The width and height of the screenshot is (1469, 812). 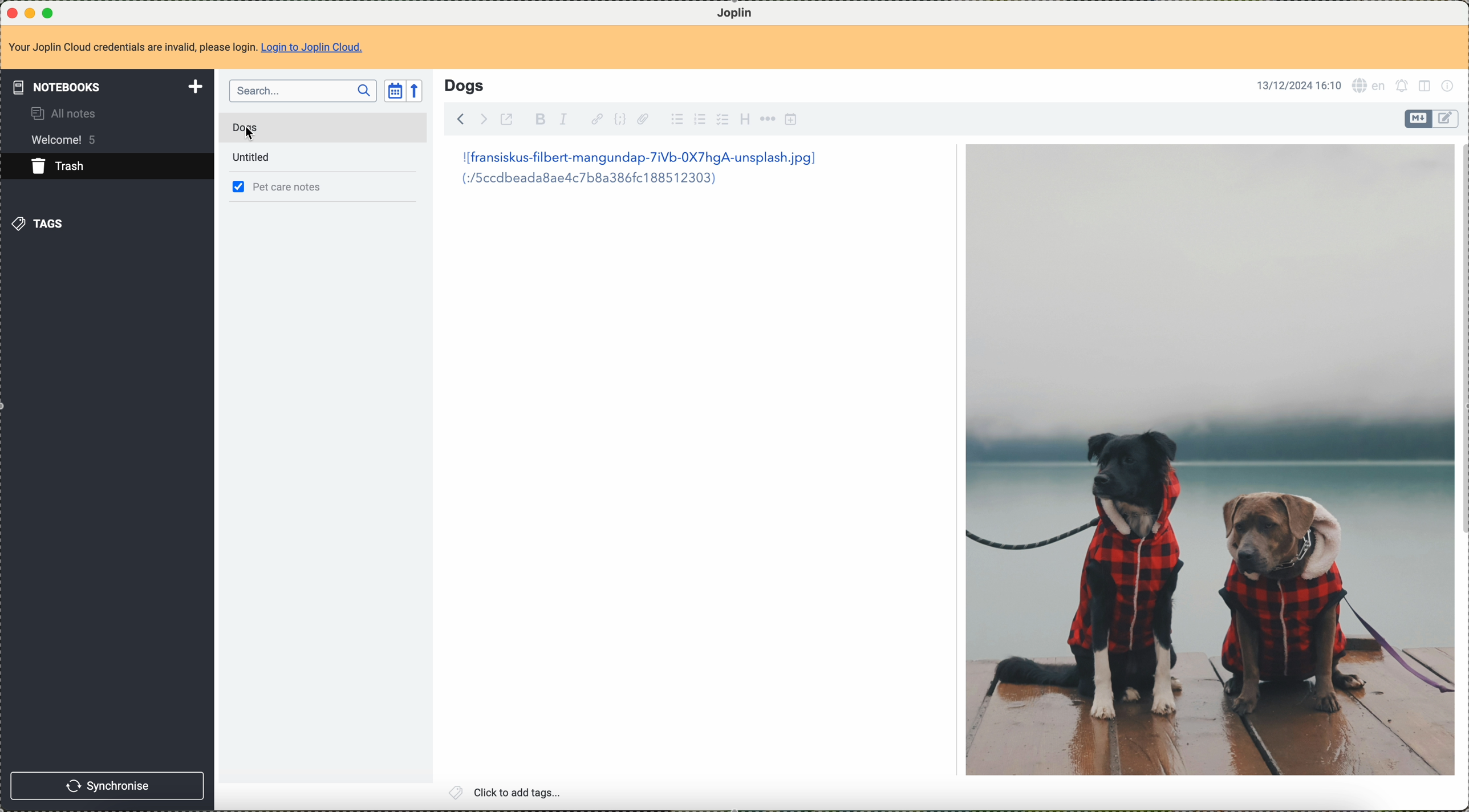 What do you see at coordinates (11, 11) in the screenshot?
I see `close program` at bounding box center [11, 11].